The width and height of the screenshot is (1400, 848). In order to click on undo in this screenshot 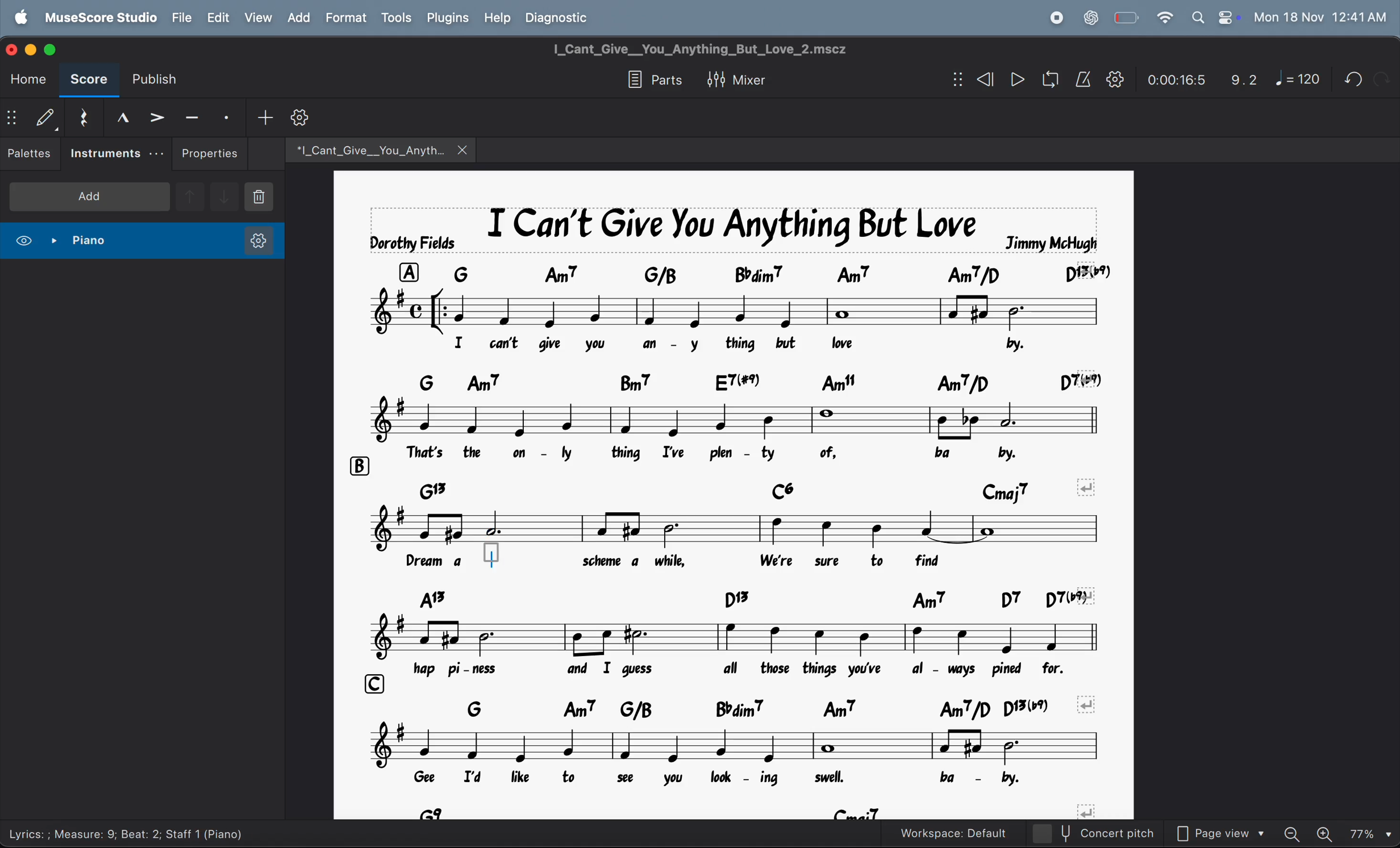, I will do `click(1351, 79)`.